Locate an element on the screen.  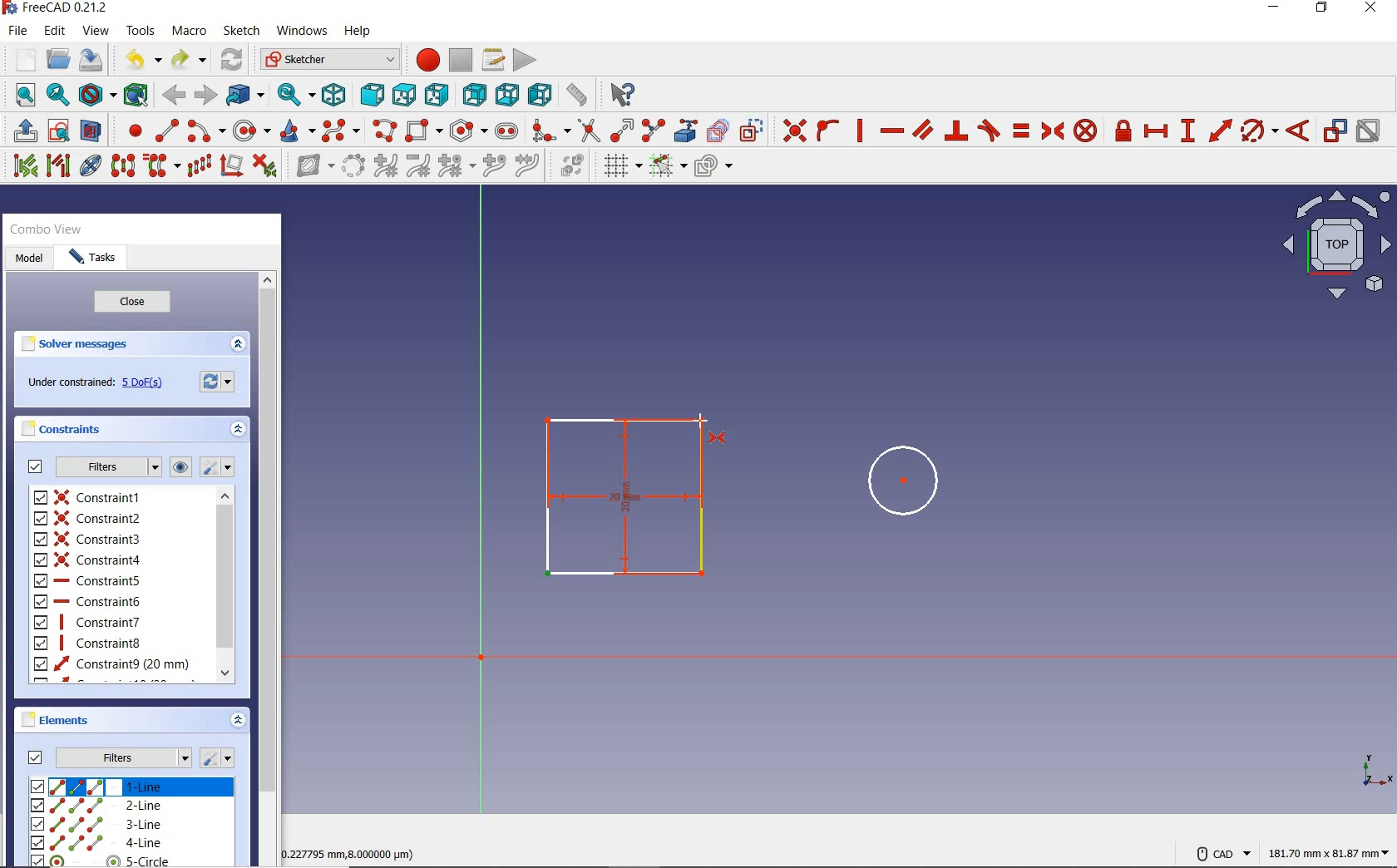
5-CIRCLE is located at coordinates (101, 861).